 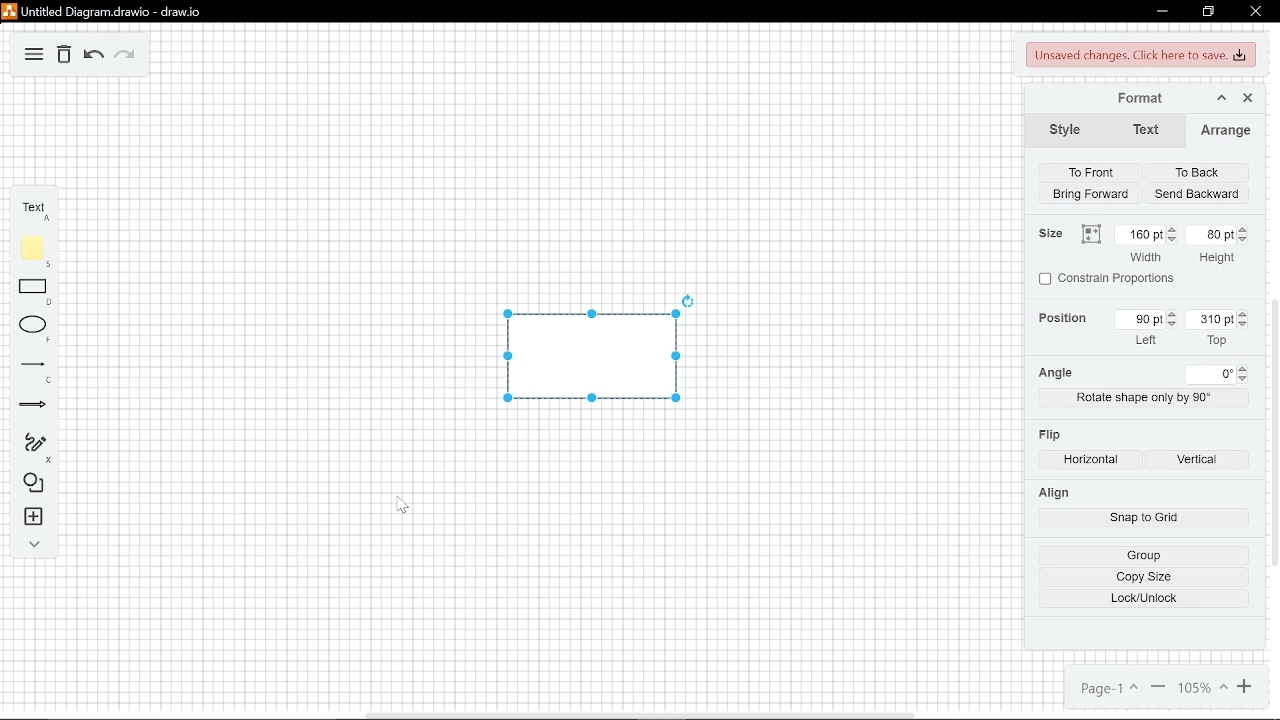 I want to click on insert, so click(x=34, y=517).